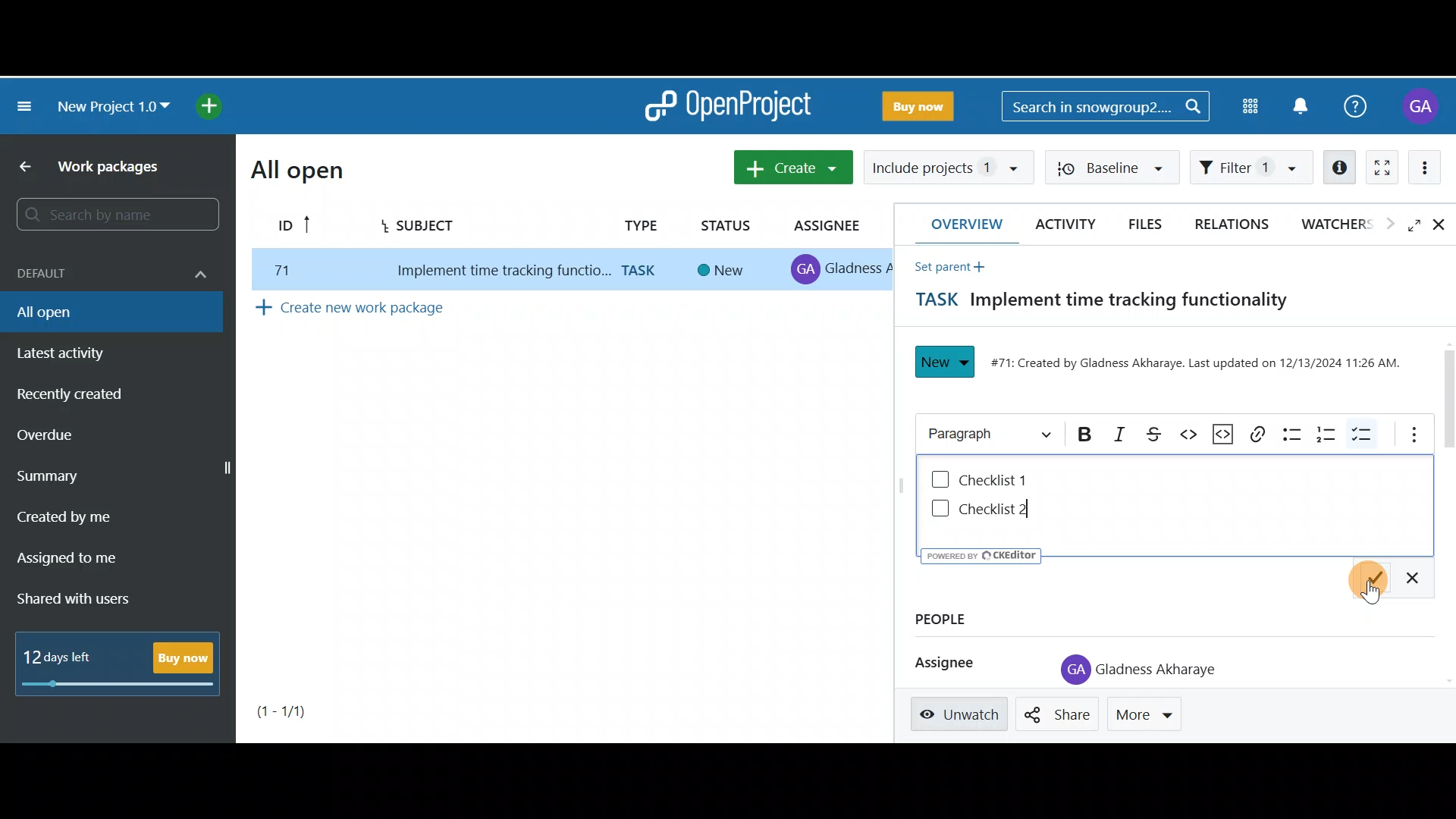 Image resolution: width=1456 pixels, height=819 pixels. Describe the element at coordinates (1159, 670) in the screenshot. I see `Gladness Akharaye` at that location.